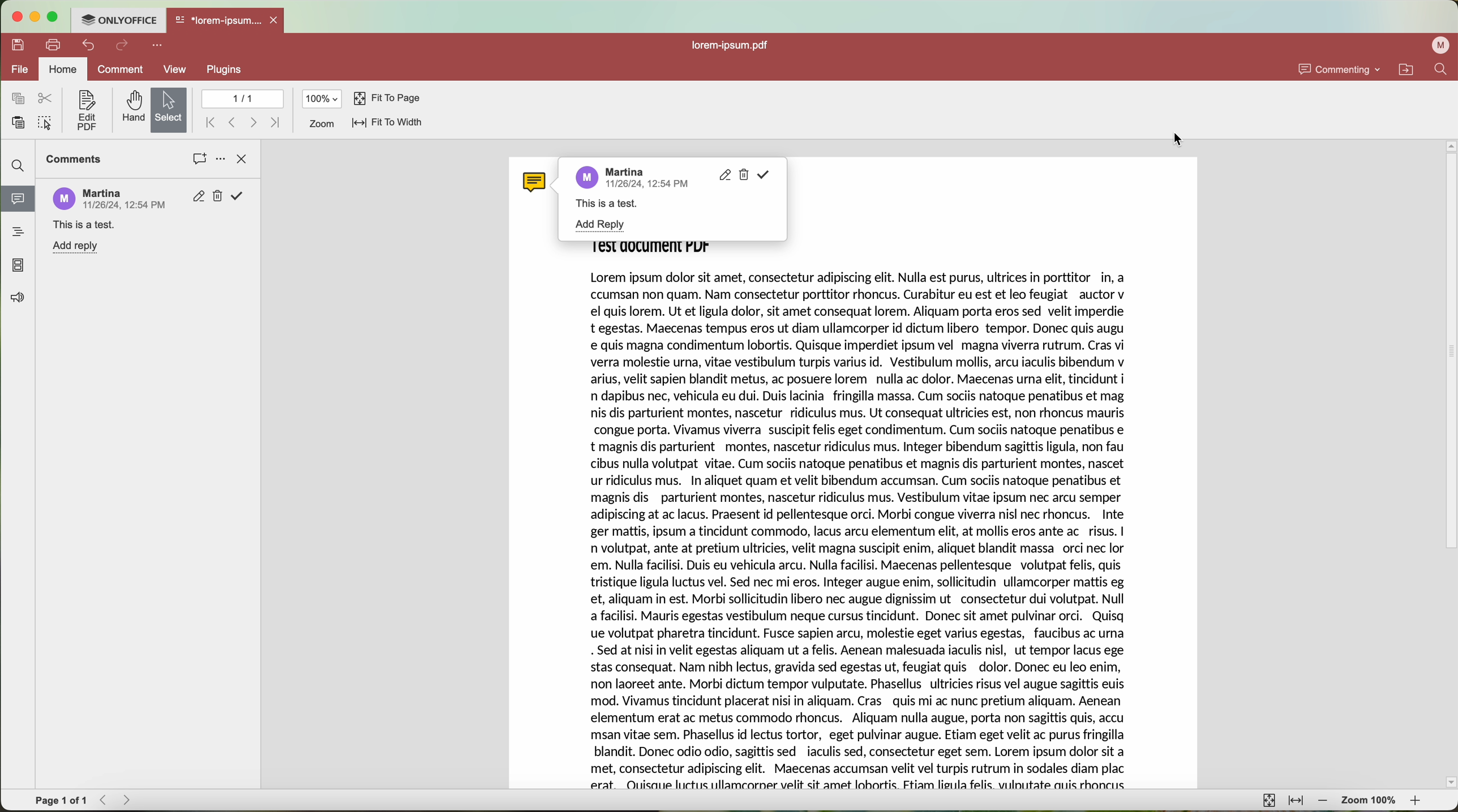  What do you see at coordinates (1370, 801) in the screenshot?
I see `zoom 100%` at bounding box center [1370, 801].